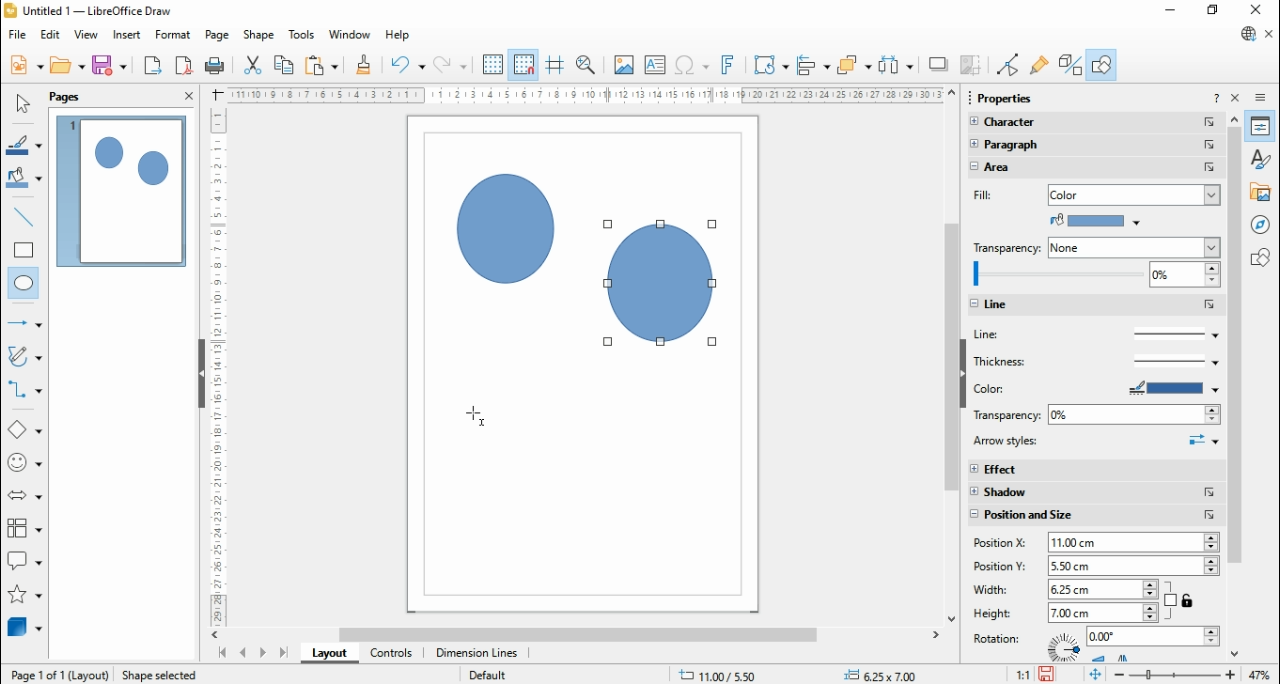 This screenshot has height=684, width=1280. I want to click on constrain proportions, so click(1180, 599).